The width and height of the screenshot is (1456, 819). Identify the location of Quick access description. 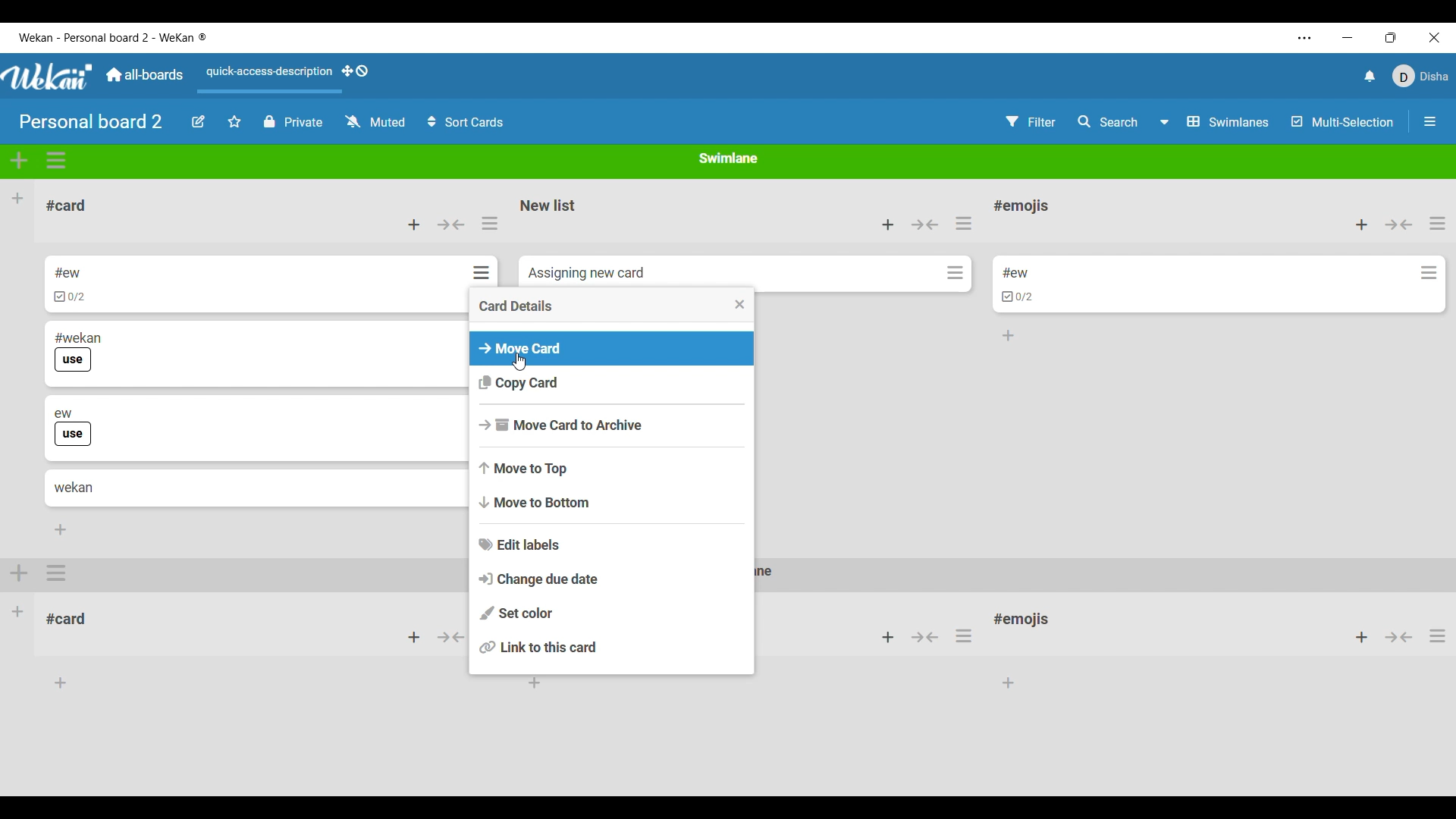
(265, 78).